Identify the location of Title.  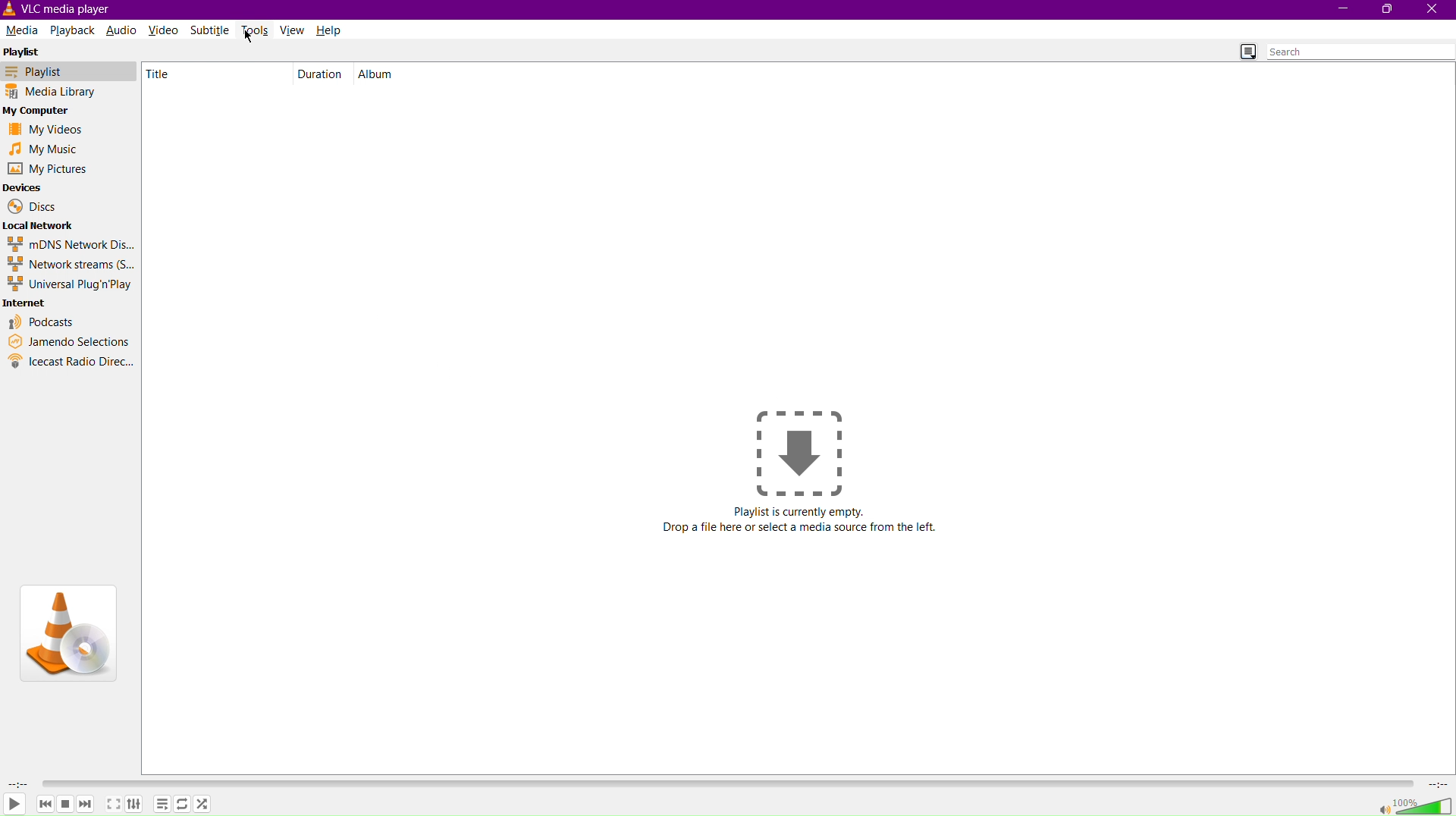
(165, 74).